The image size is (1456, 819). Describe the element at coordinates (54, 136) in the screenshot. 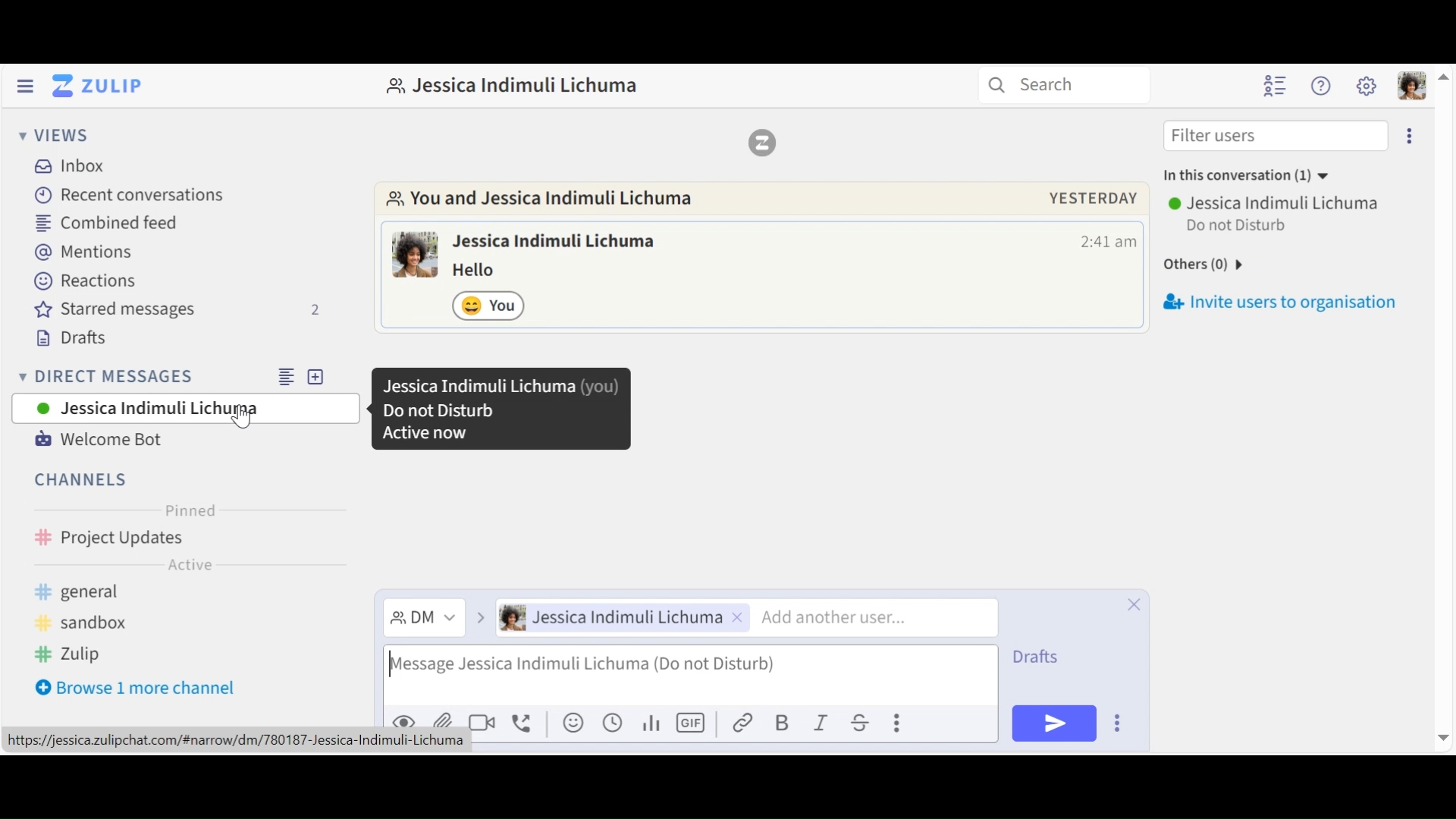

I see `Views` at that location.